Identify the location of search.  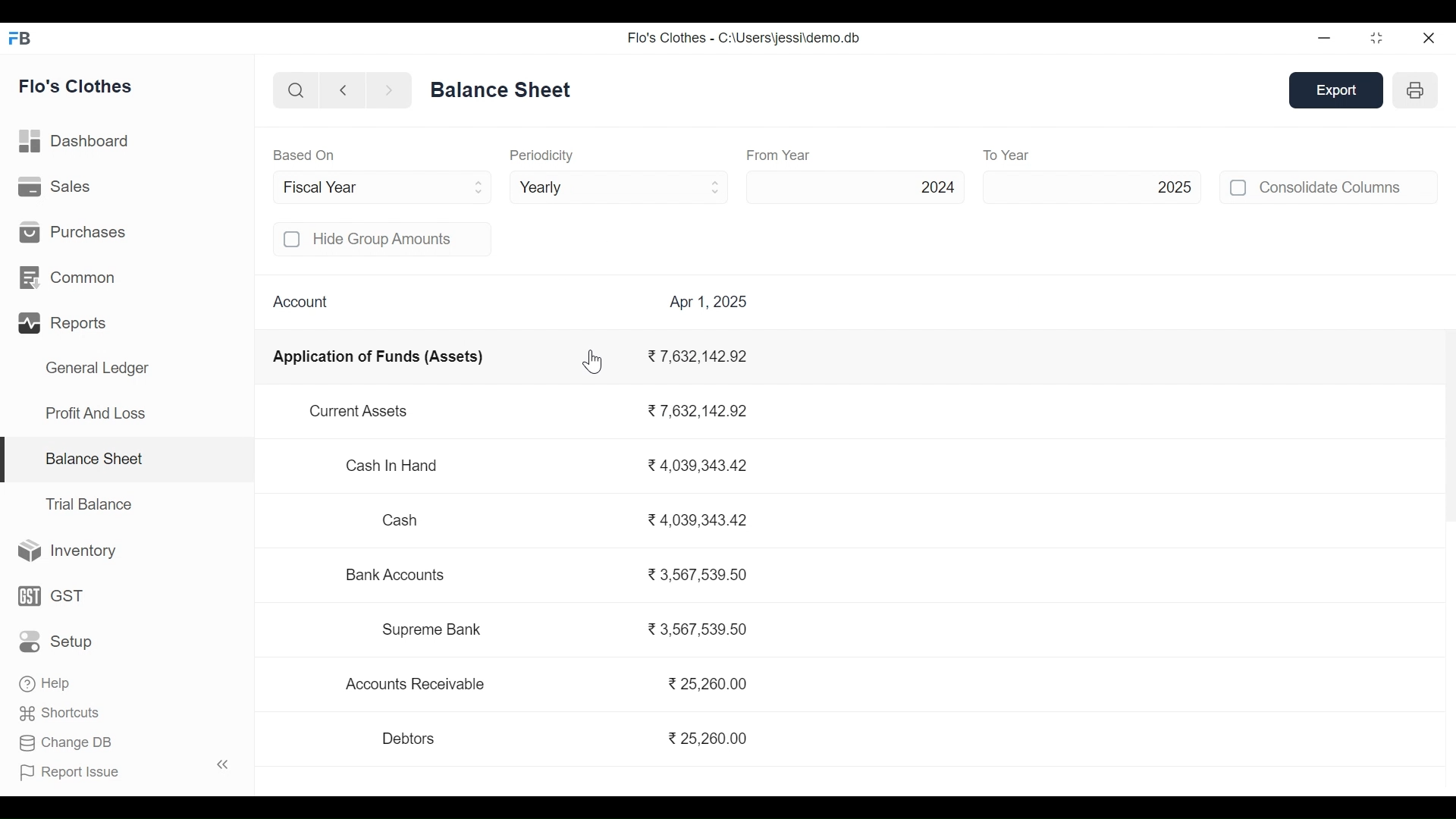
(297, 92).